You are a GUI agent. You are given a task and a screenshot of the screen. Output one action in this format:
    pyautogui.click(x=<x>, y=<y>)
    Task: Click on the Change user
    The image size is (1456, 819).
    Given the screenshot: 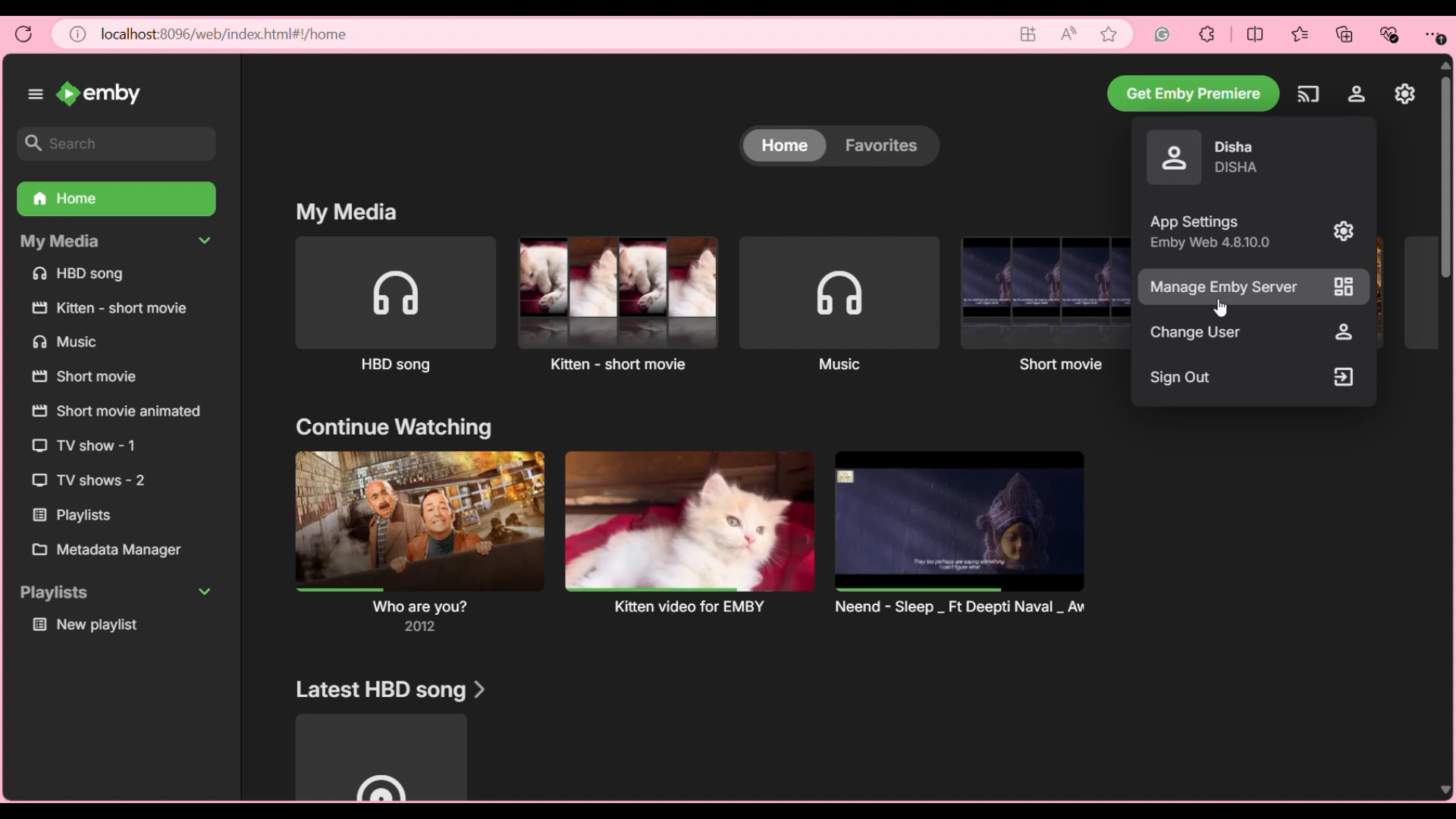 What is the action you would take?
    pyautogui.click(x=1254, y=332)
    